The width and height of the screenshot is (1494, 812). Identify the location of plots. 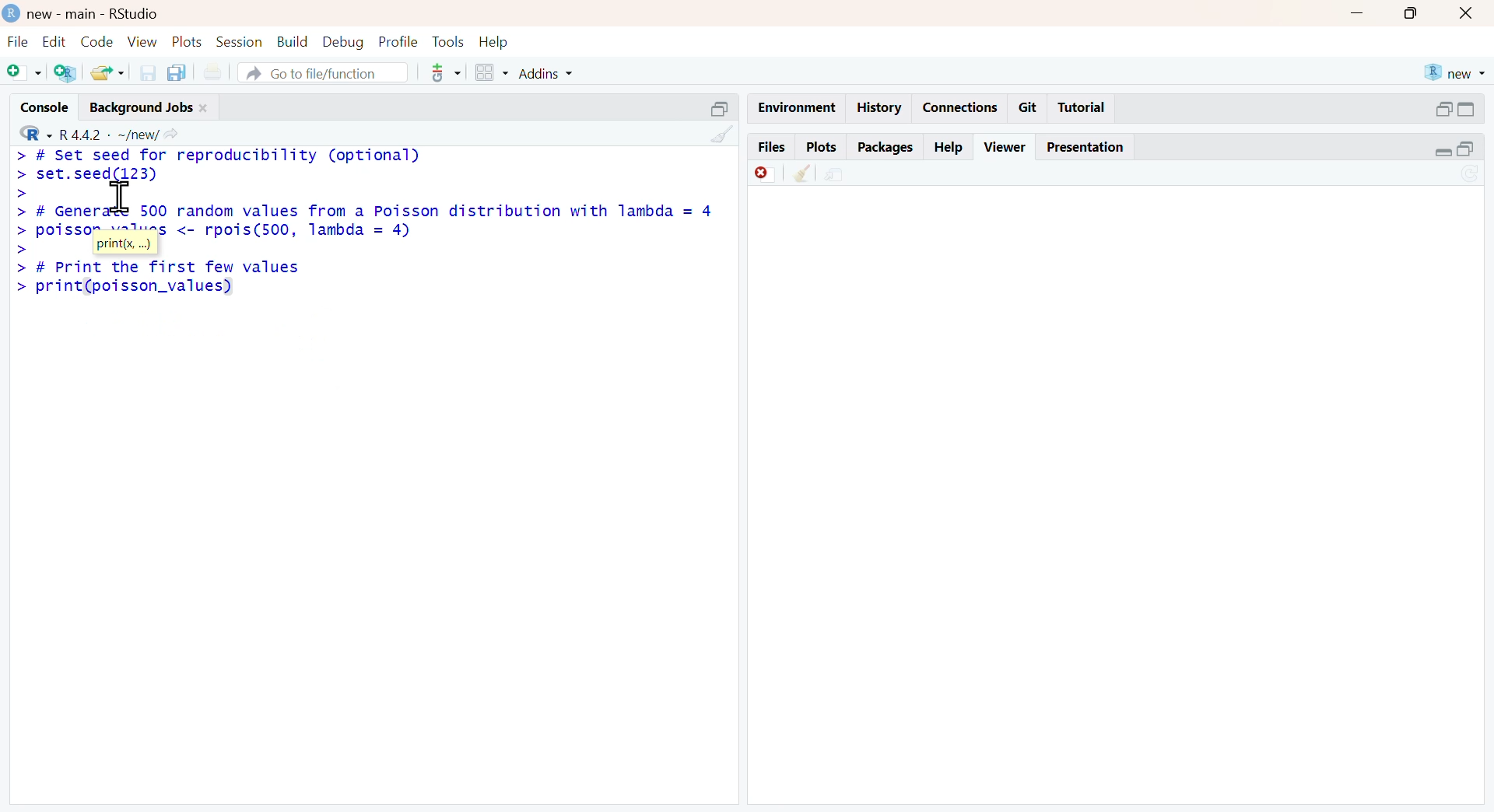
(823, 146).